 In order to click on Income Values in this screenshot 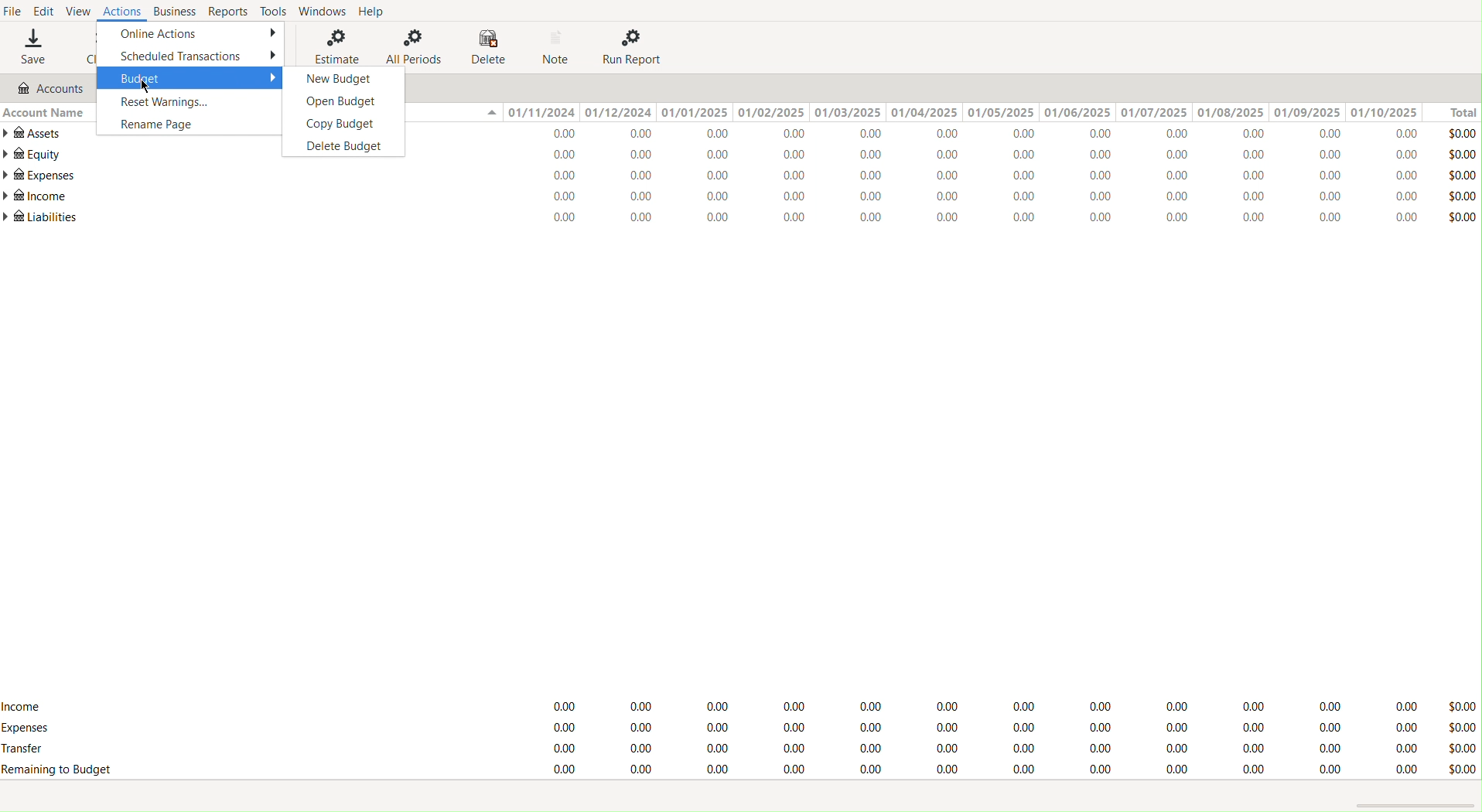, I will do `click(986, 704)`.